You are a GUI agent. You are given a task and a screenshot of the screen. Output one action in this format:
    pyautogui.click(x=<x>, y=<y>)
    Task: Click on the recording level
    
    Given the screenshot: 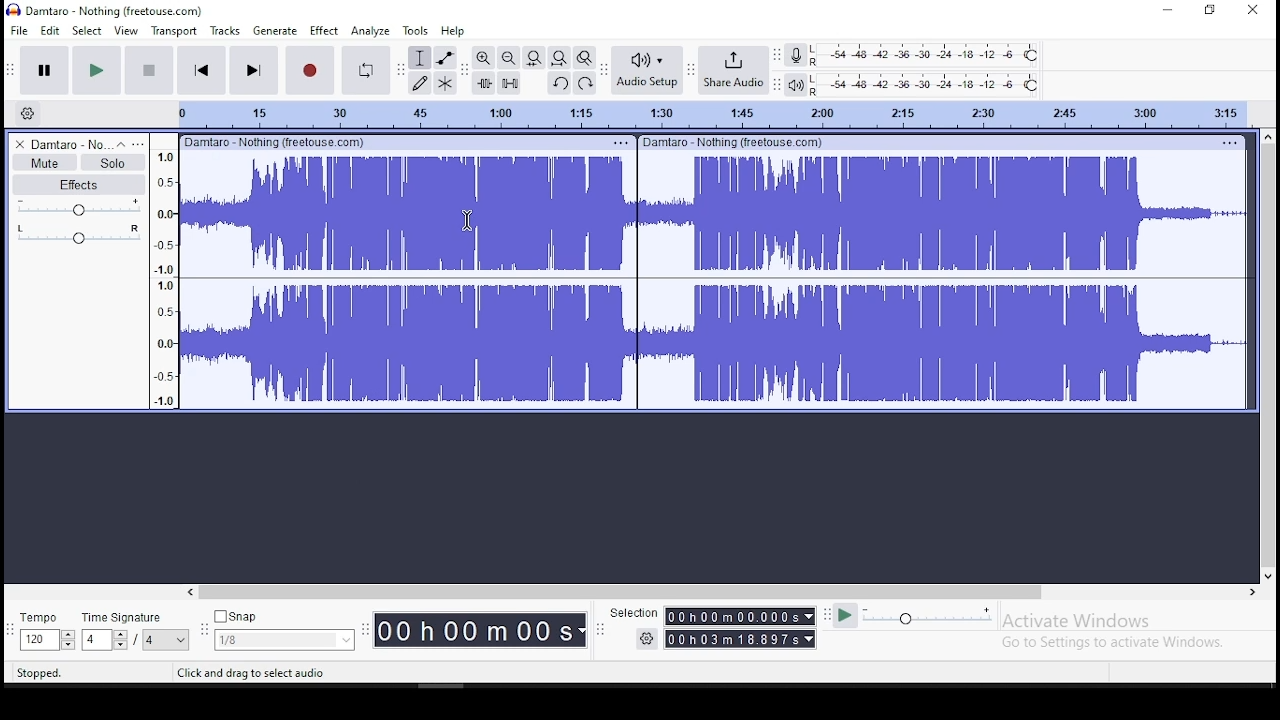 What is the action you would take?
    pyautogui.click(x=925, y=55)
    